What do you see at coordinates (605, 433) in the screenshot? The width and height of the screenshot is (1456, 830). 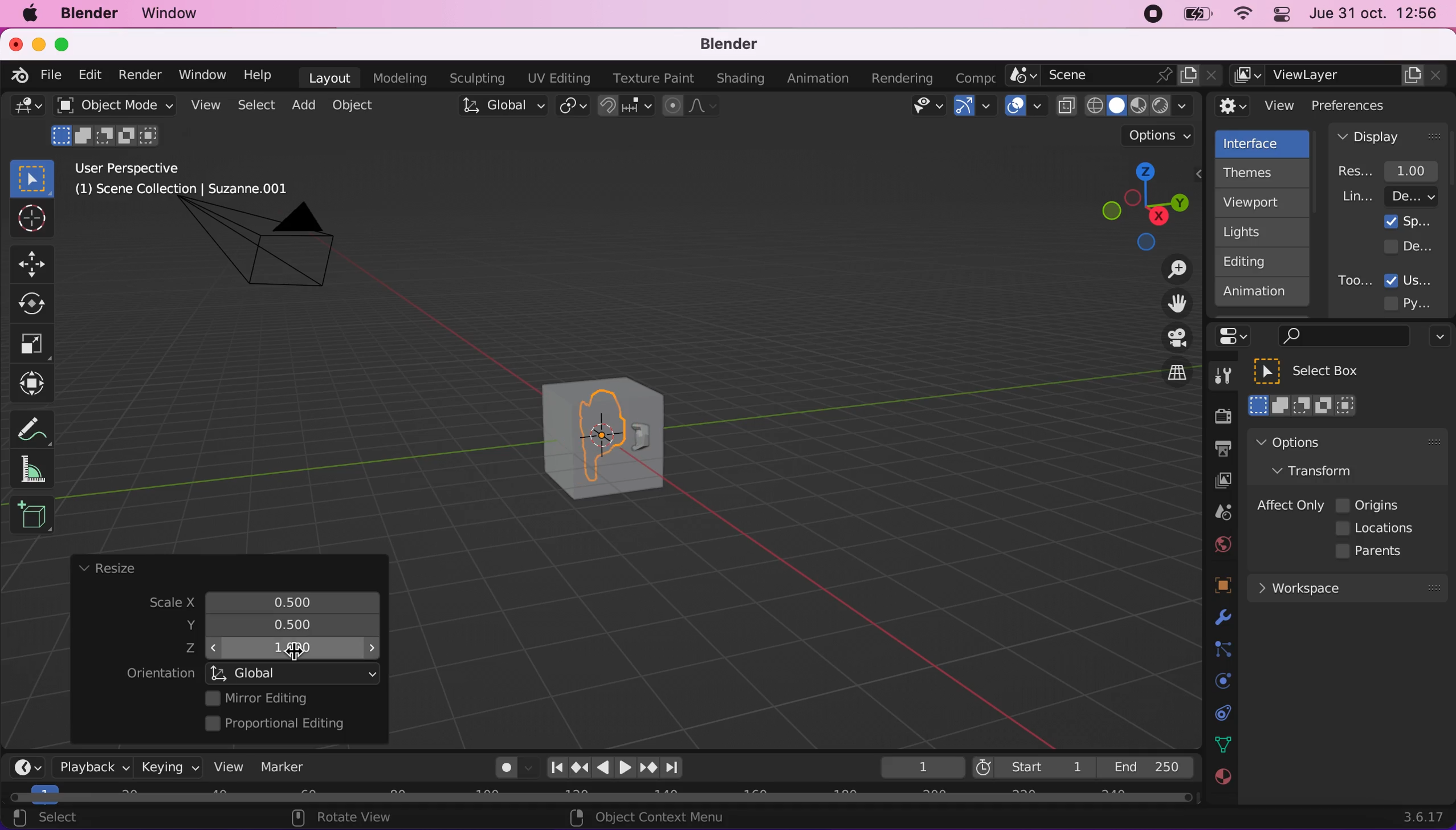 I see `cube` at bounding box center [605, 433].